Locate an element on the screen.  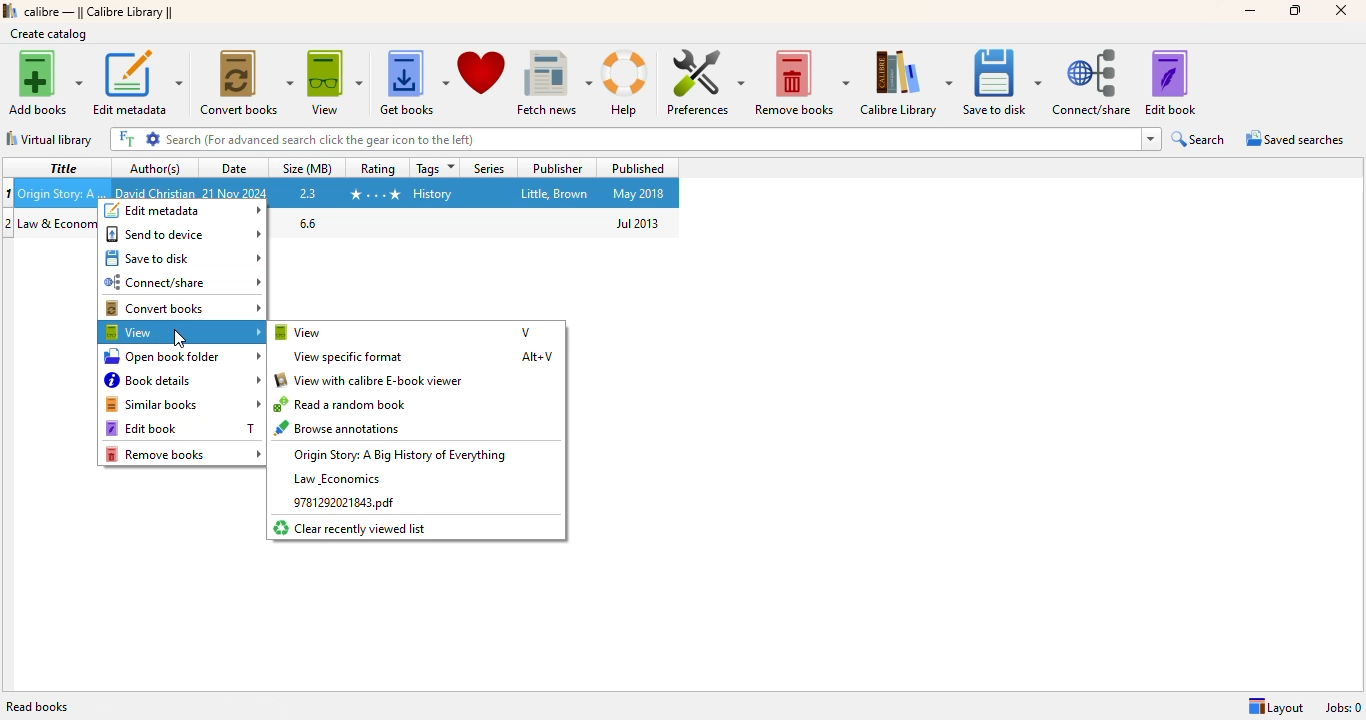
author(s) is located at coordinates (155, 168).